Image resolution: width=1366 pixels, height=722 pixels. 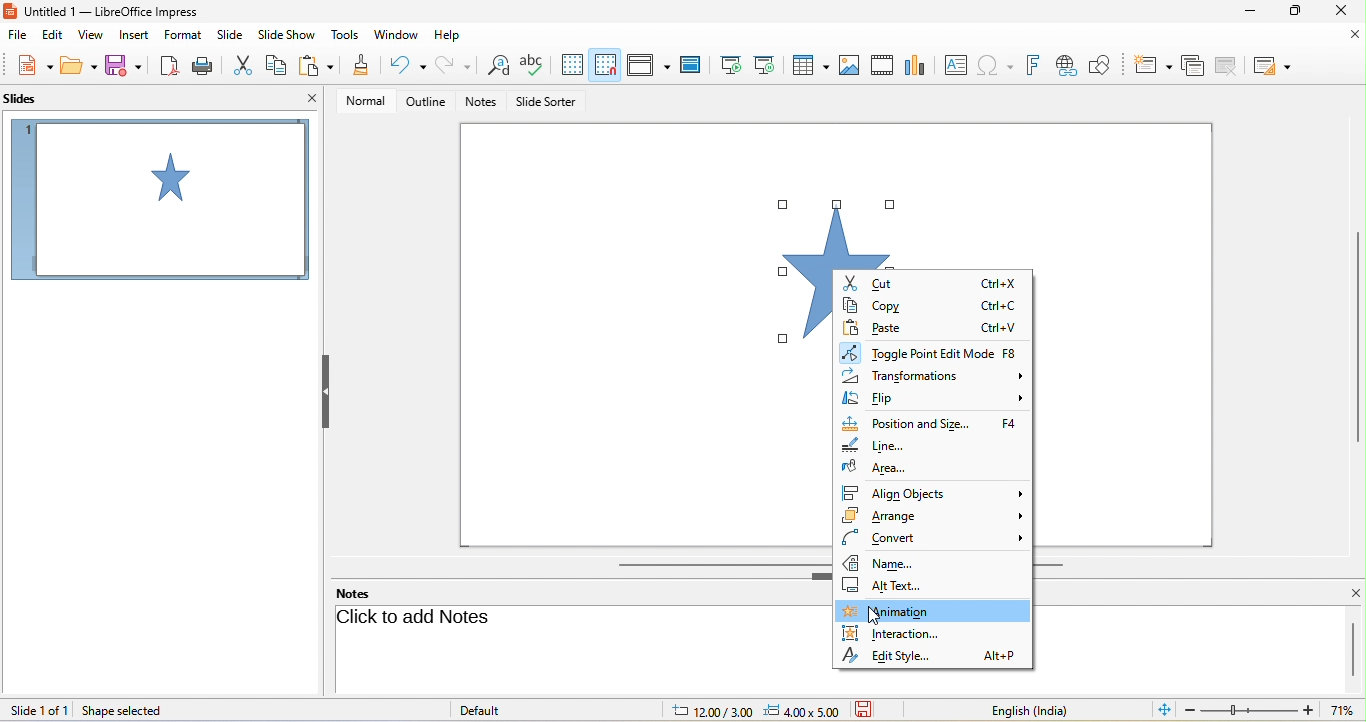 I want to click on default, so click(x=482, y=710).